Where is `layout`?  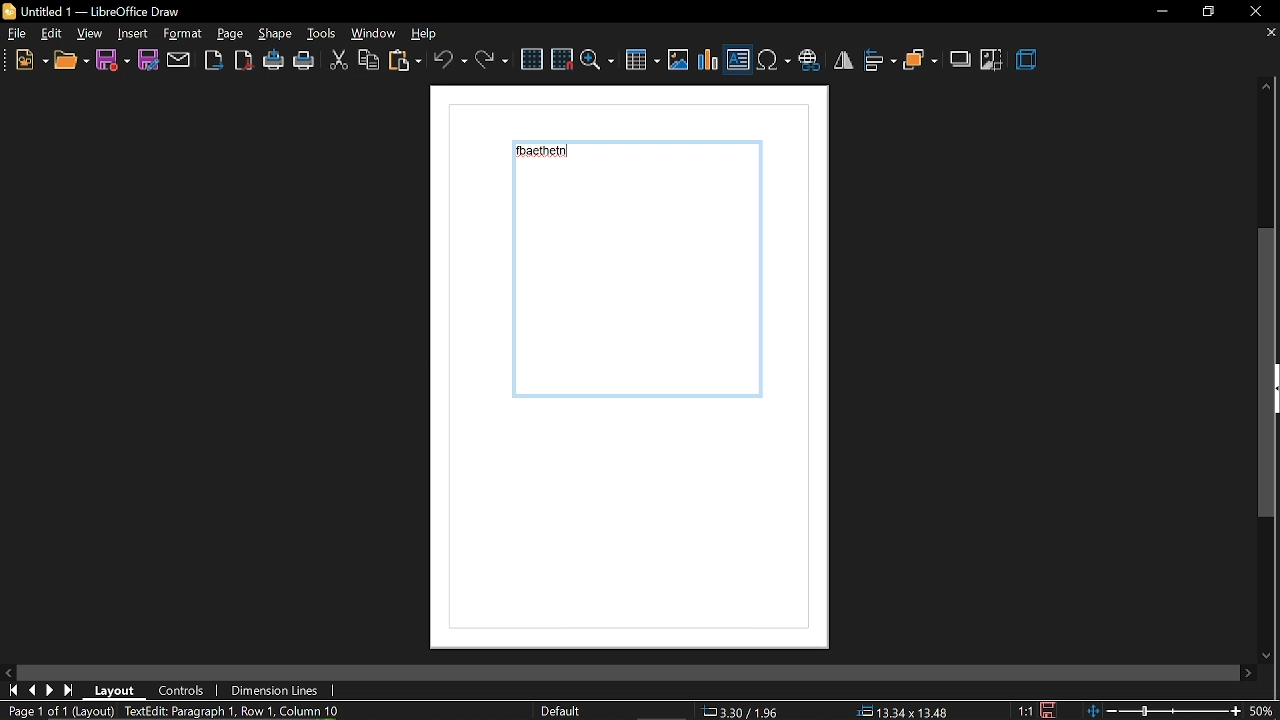
layout is located at coordinates (115, 691).